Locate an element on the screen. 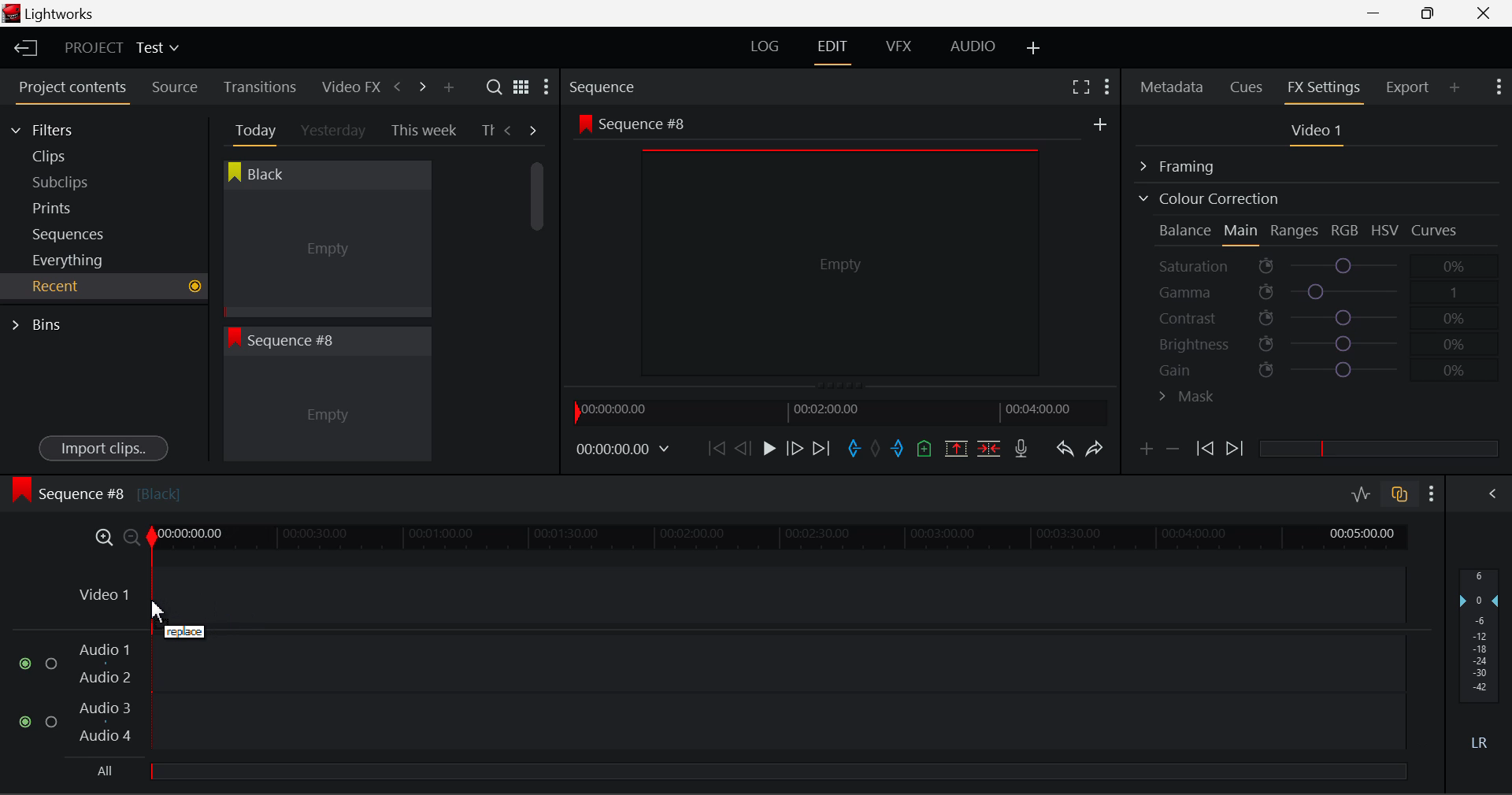 This screenshot has height=795, width=1512. Show Settings is located at coordinates (545, 91).